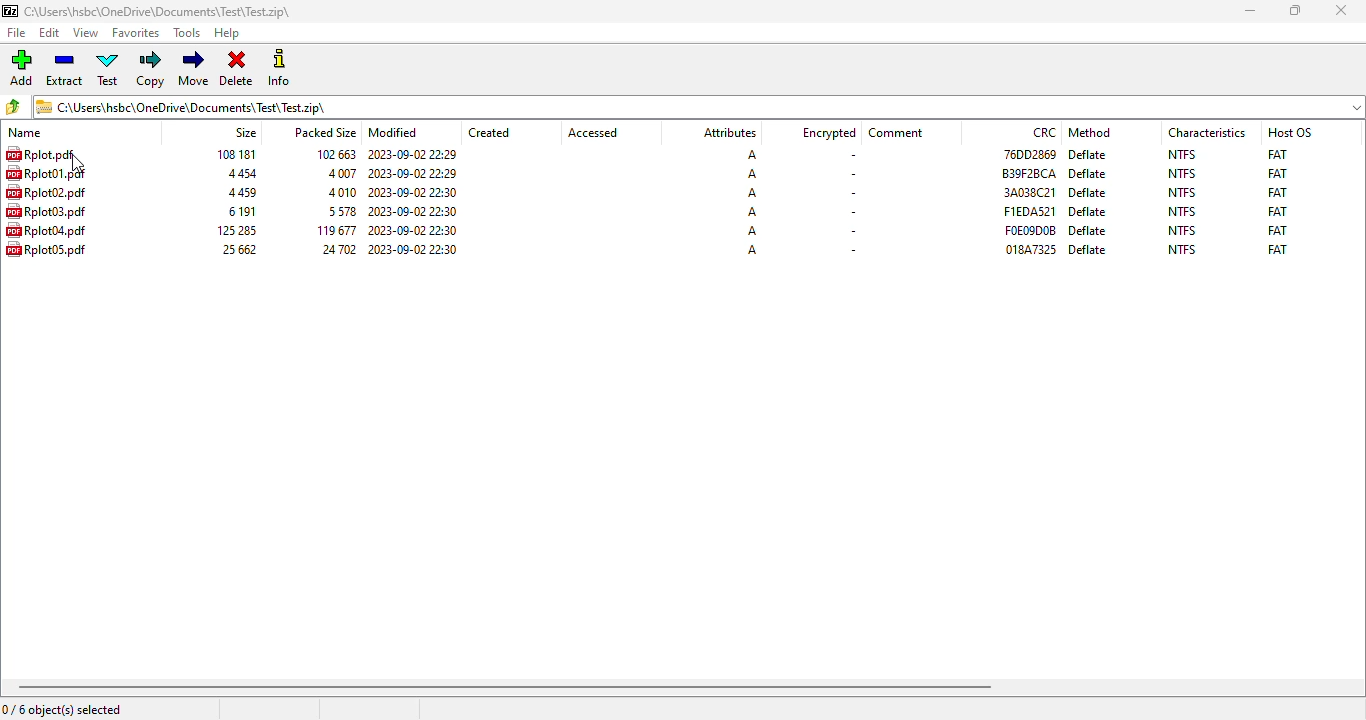  I want to click on A, so click(753, 230).